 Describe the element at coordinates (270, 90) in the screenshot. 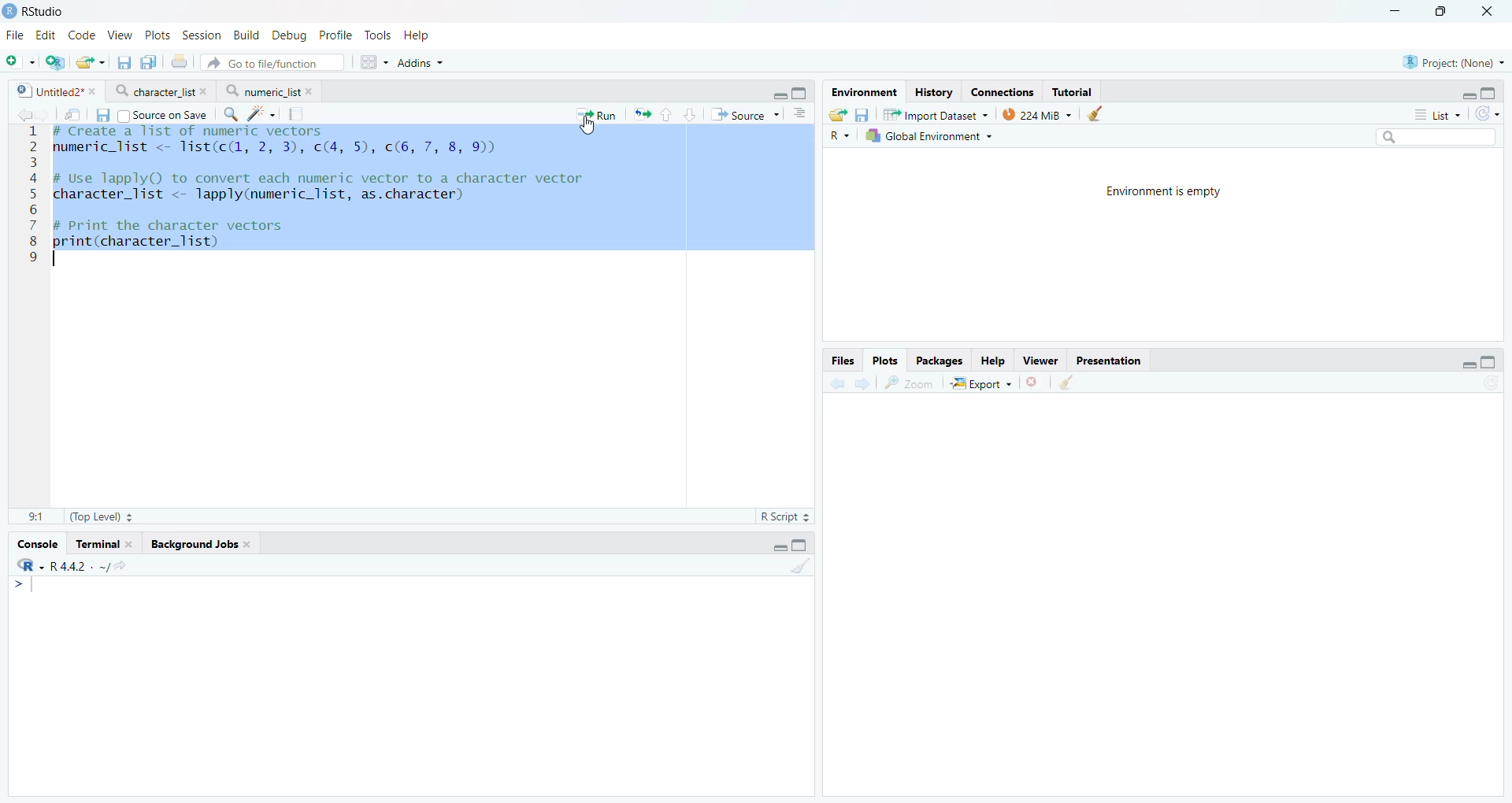

I see `numeric_list` at that location.